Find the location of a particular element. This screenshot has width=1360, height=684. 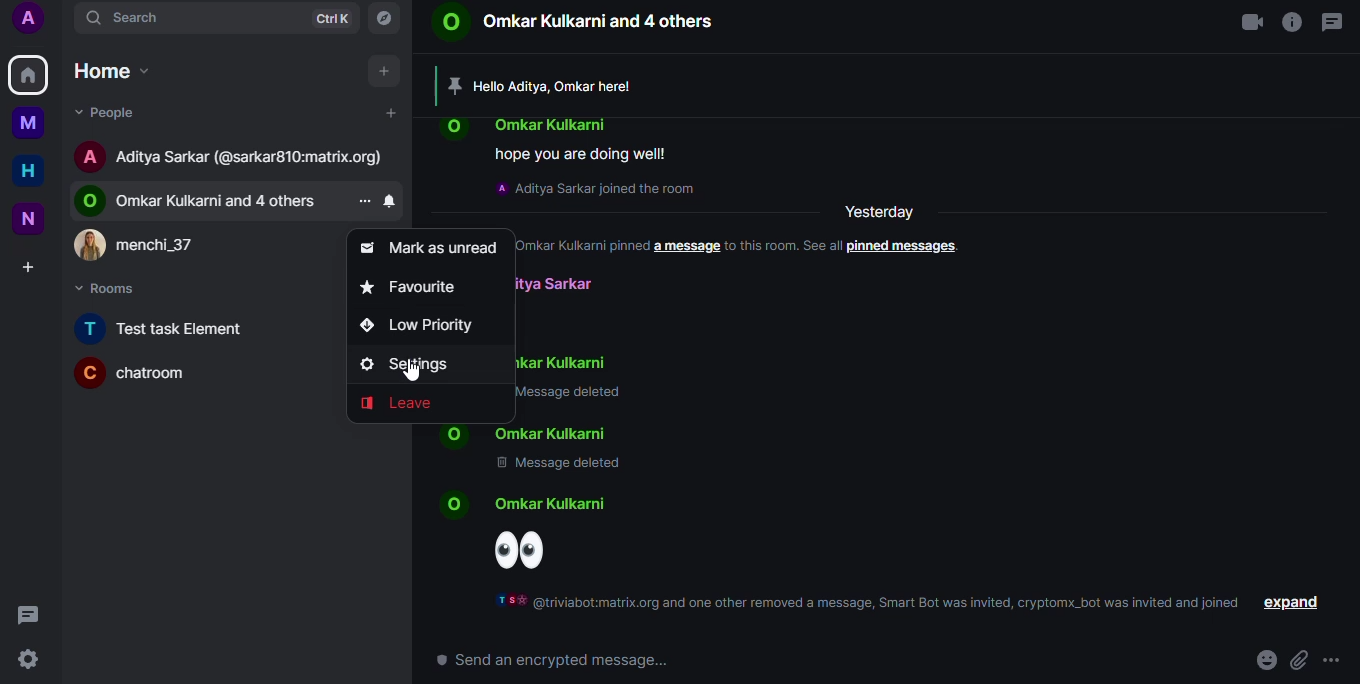

## @triviabot:matrix.org and one other removed a message, Smart Bot was invited, cryptomx_bot was invited and joined is located at coordinates (868, 603).